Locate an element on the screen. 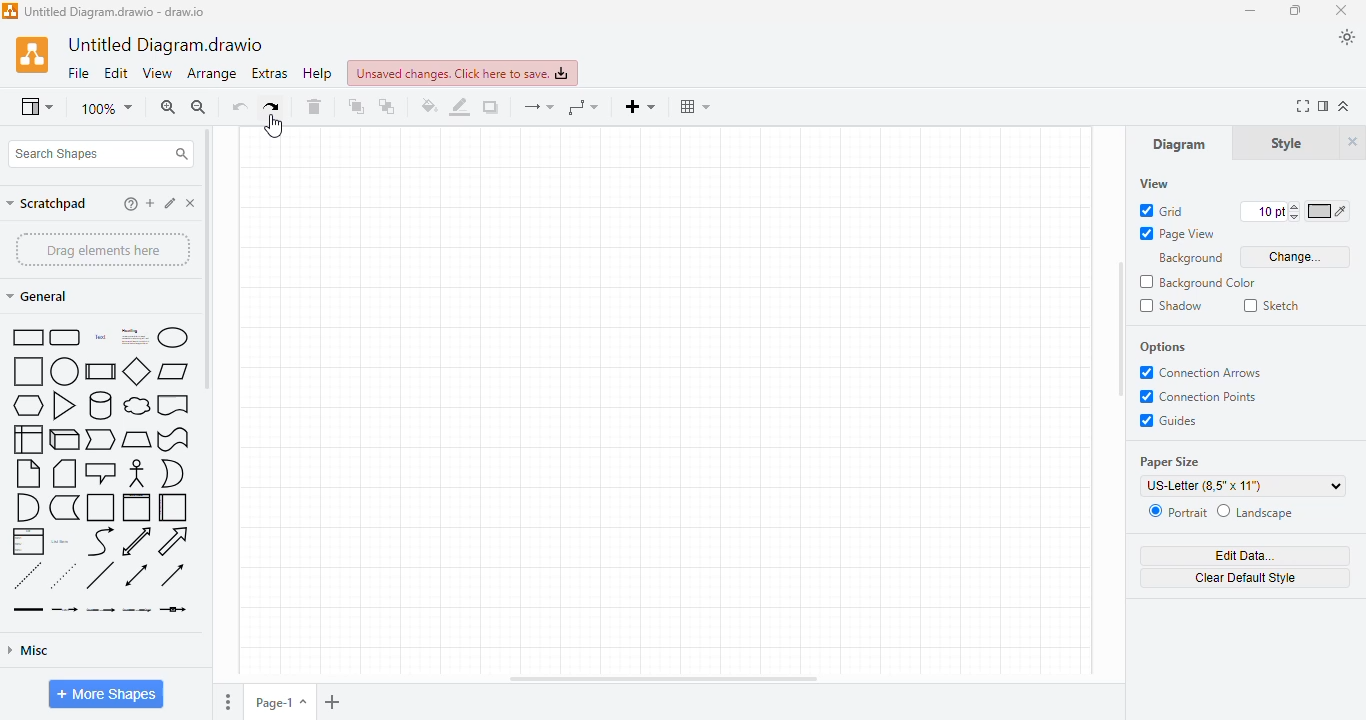  vertical container is located at coordinates (136, 508).